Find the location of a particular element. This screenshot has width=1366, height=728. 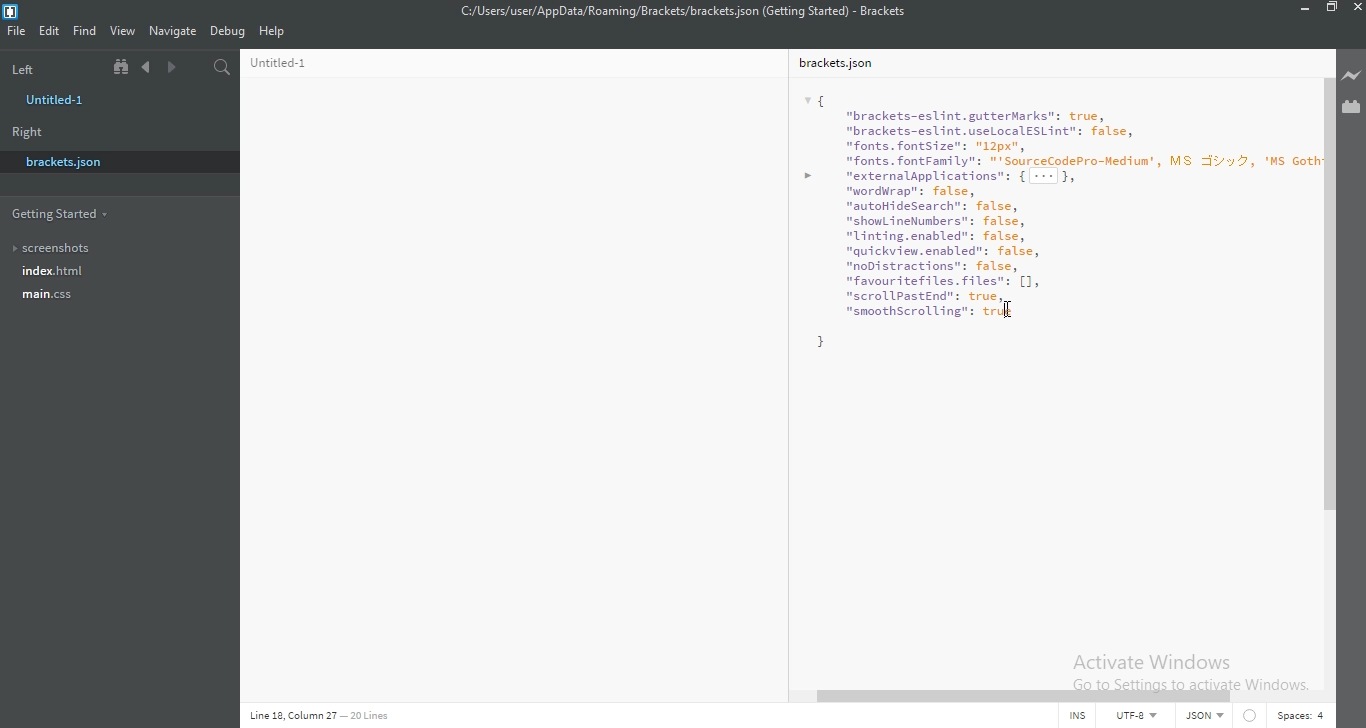

Right is located at coordinates (26, 132).